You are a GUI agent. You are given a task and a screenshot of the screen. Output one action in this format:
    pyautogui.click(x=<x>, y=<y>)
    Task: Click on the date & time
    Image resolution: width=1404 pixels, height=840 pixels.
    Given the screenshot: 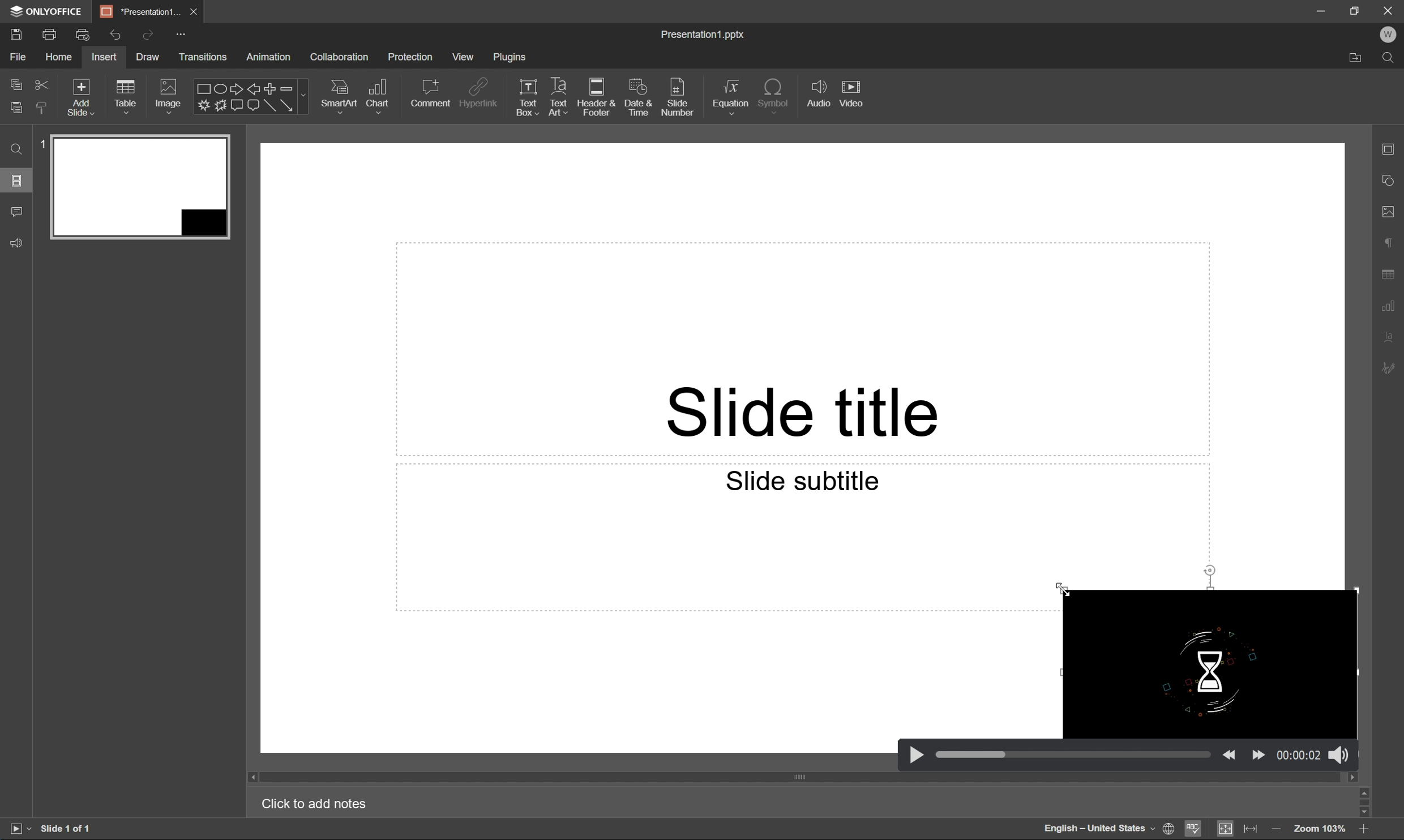 What is the action you would take?
    pyautogui.click(x=638, y=98)
    